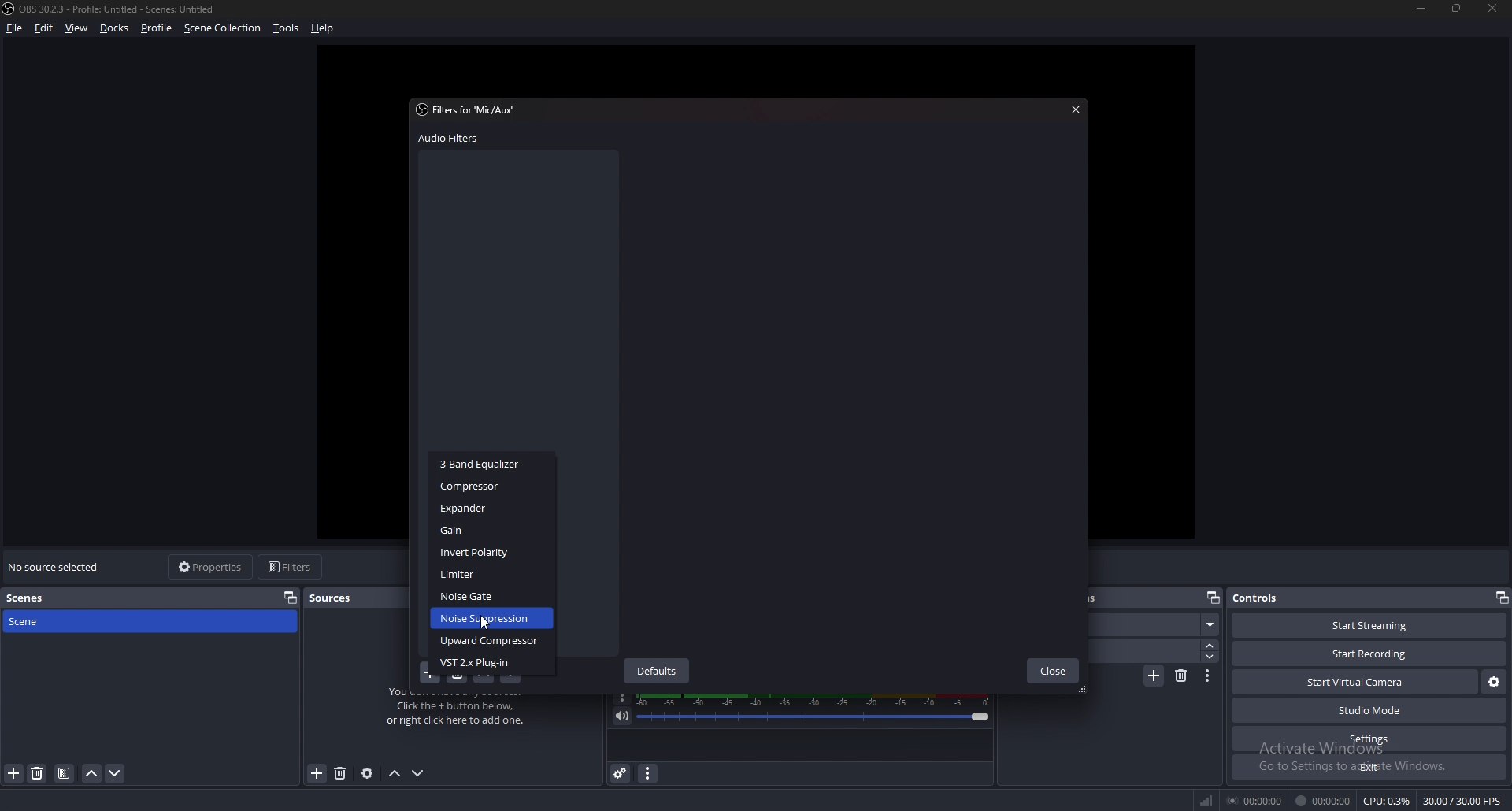 The width and height of the screenshot is (1512, 811). Describe the element at coordinates (623, 698) in the screenshot. I see `options` at that location.